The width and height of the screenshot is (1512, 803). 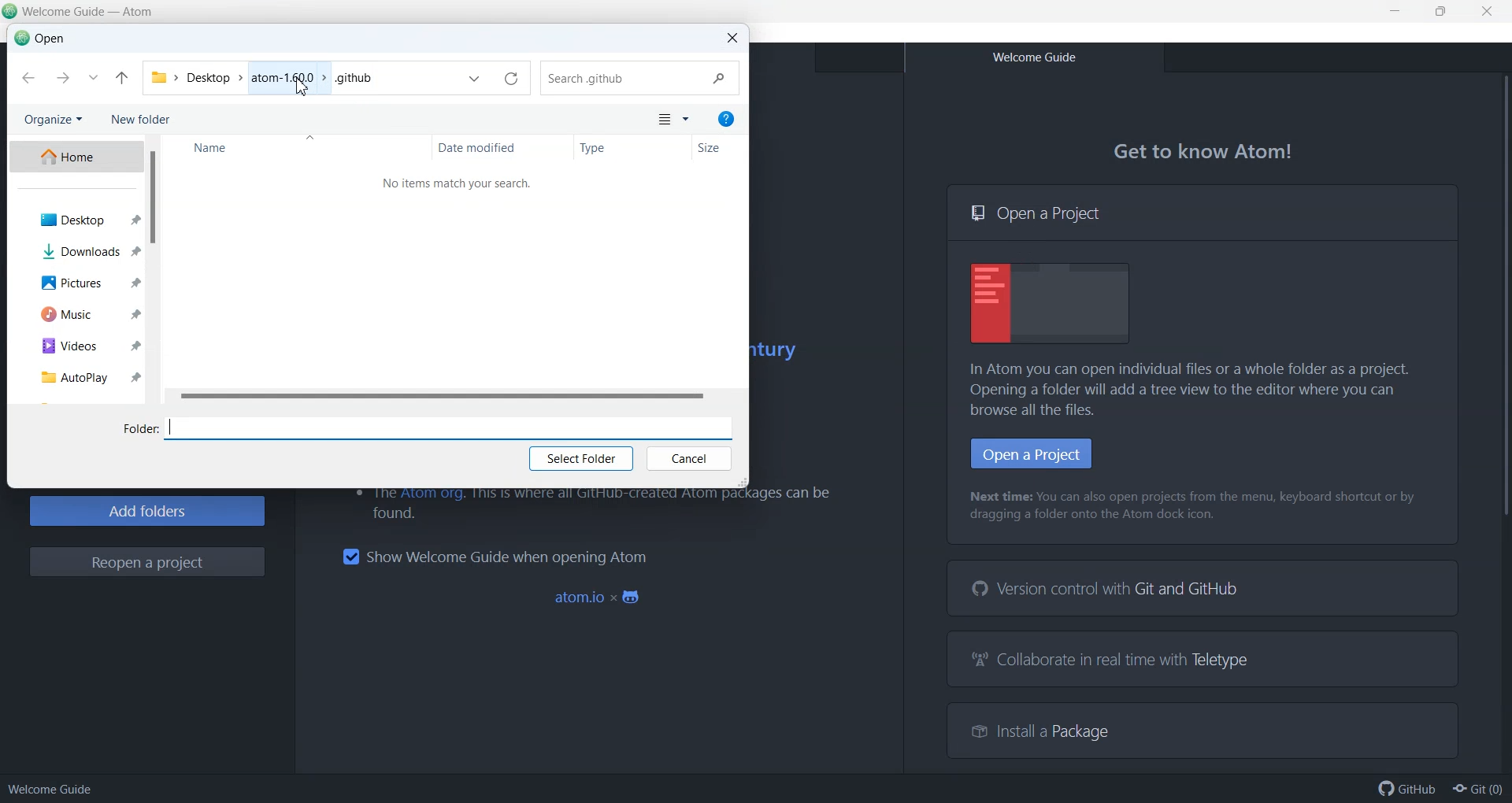 I want to click on Download, so click(x=75, y=250).